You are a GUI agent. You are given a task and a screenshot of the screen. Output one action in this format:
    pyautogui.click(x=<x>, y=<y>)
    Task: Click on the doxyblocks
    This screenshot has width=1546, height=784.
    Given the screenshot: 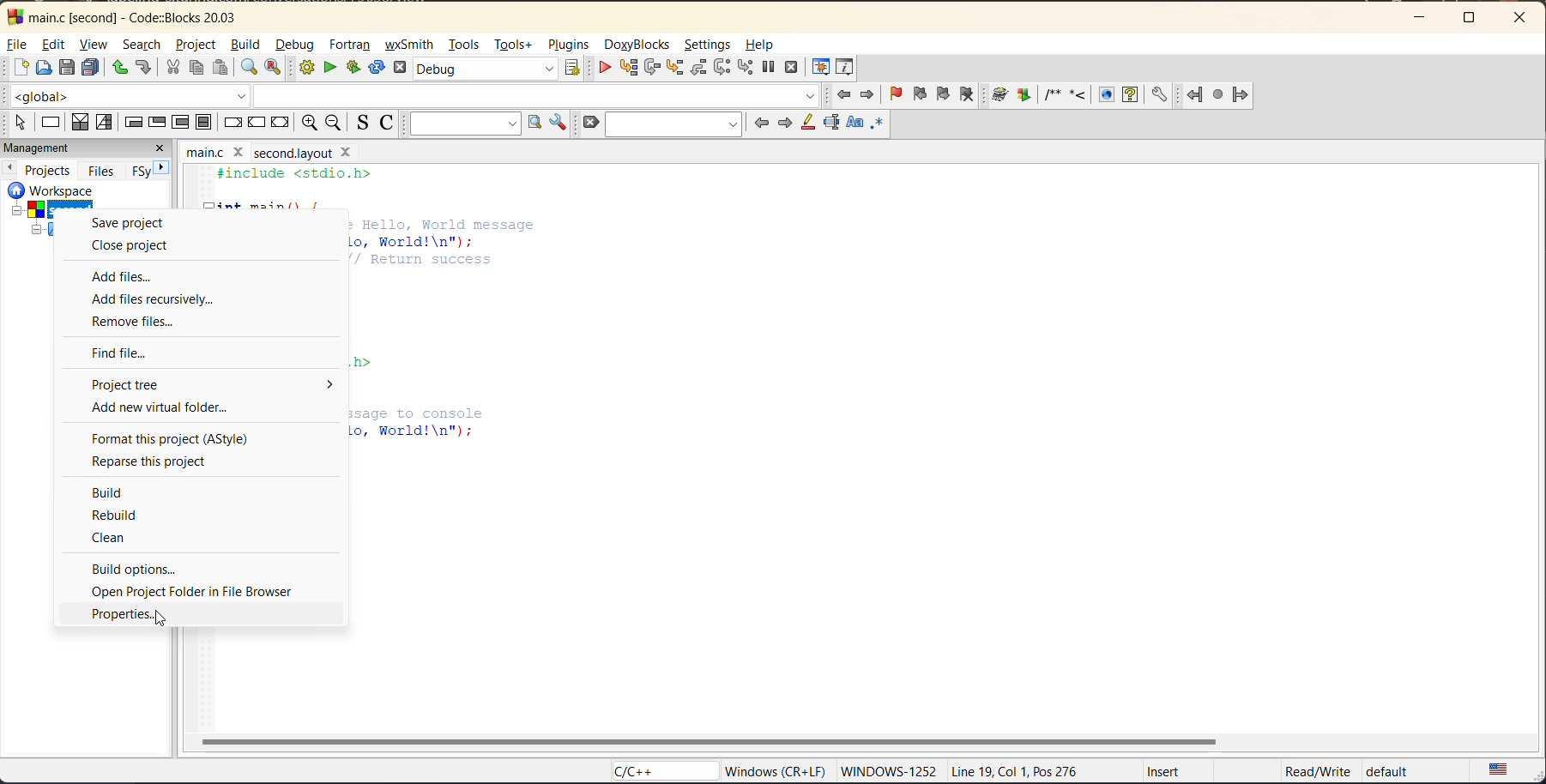 What is the action you would take?
    pyautogui.click(x=1080, y=94)
    